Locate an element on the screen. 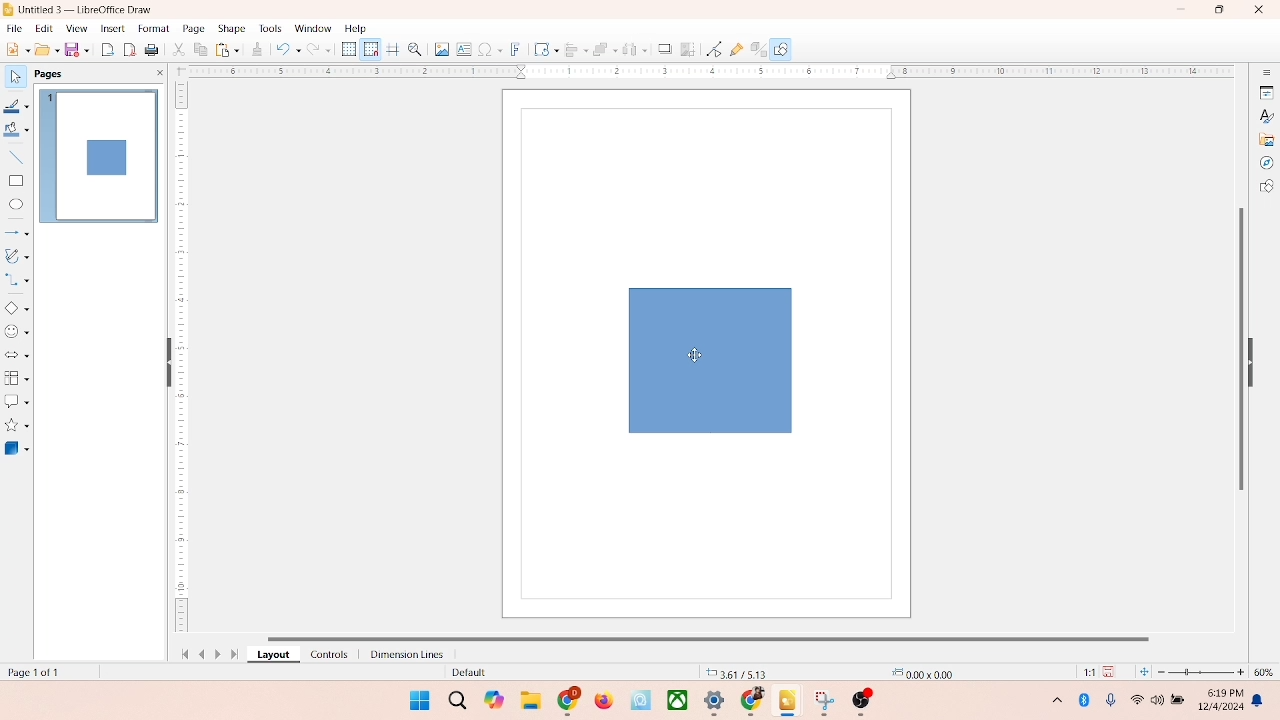 The width and height of the screenshot is (1280, 720). page is located at coordinates (191, 29).